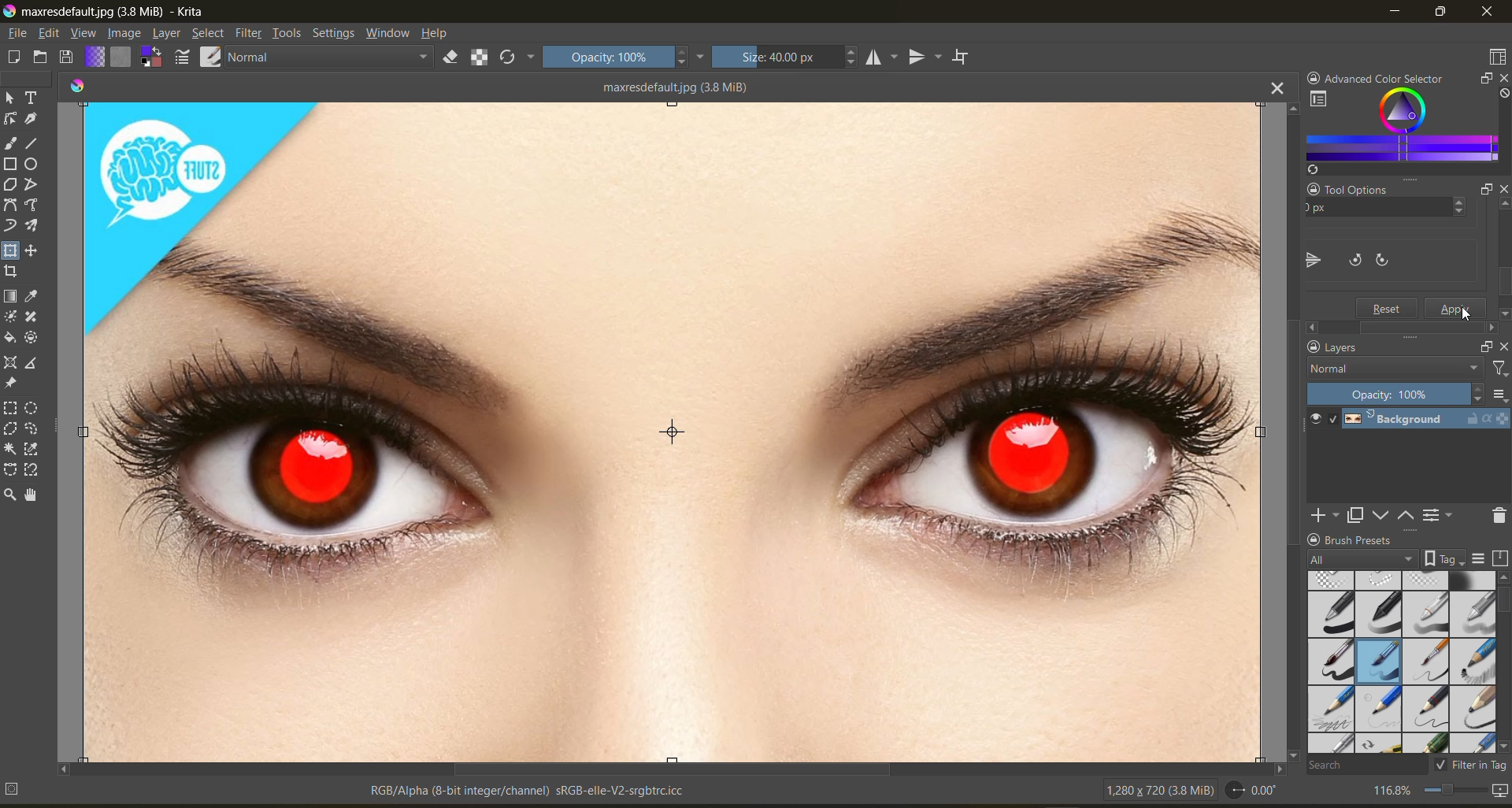  I want to click on vertical  mirror tool, so click(927, 55).